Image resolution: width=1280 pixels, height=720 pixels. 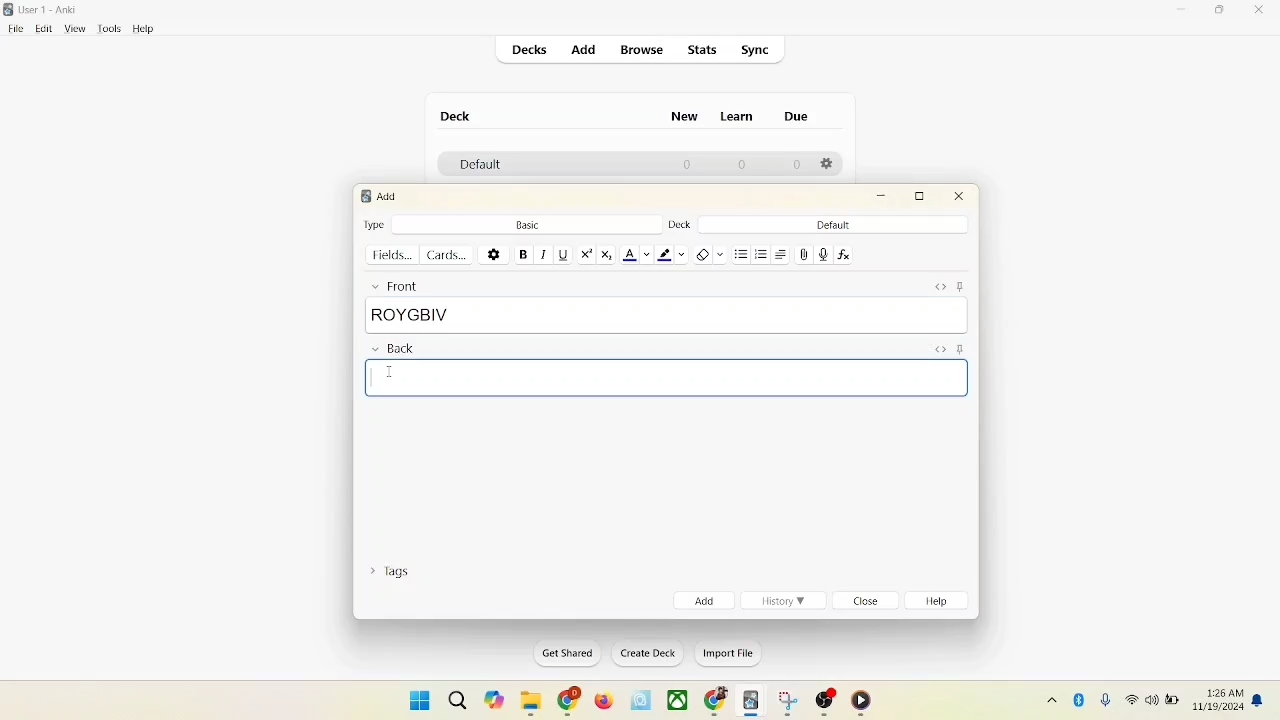 I want to click on attachment, so click(x=804, y=255).